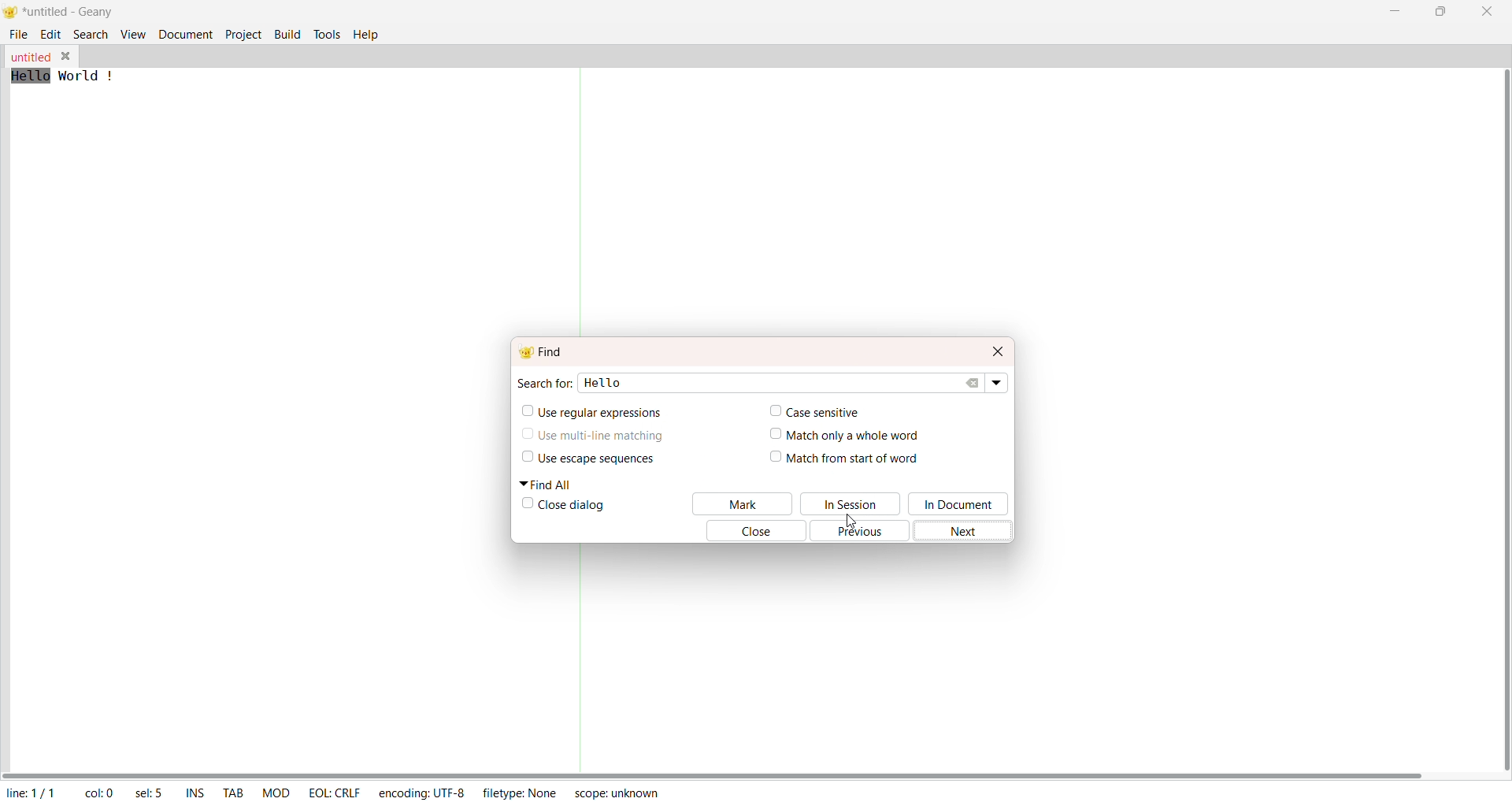 This screenshot has height=802, width=1512. What do you see at coordinates (66, 76) in the screenshot?
I see `Hello world !` at bounding box center [66, 76].